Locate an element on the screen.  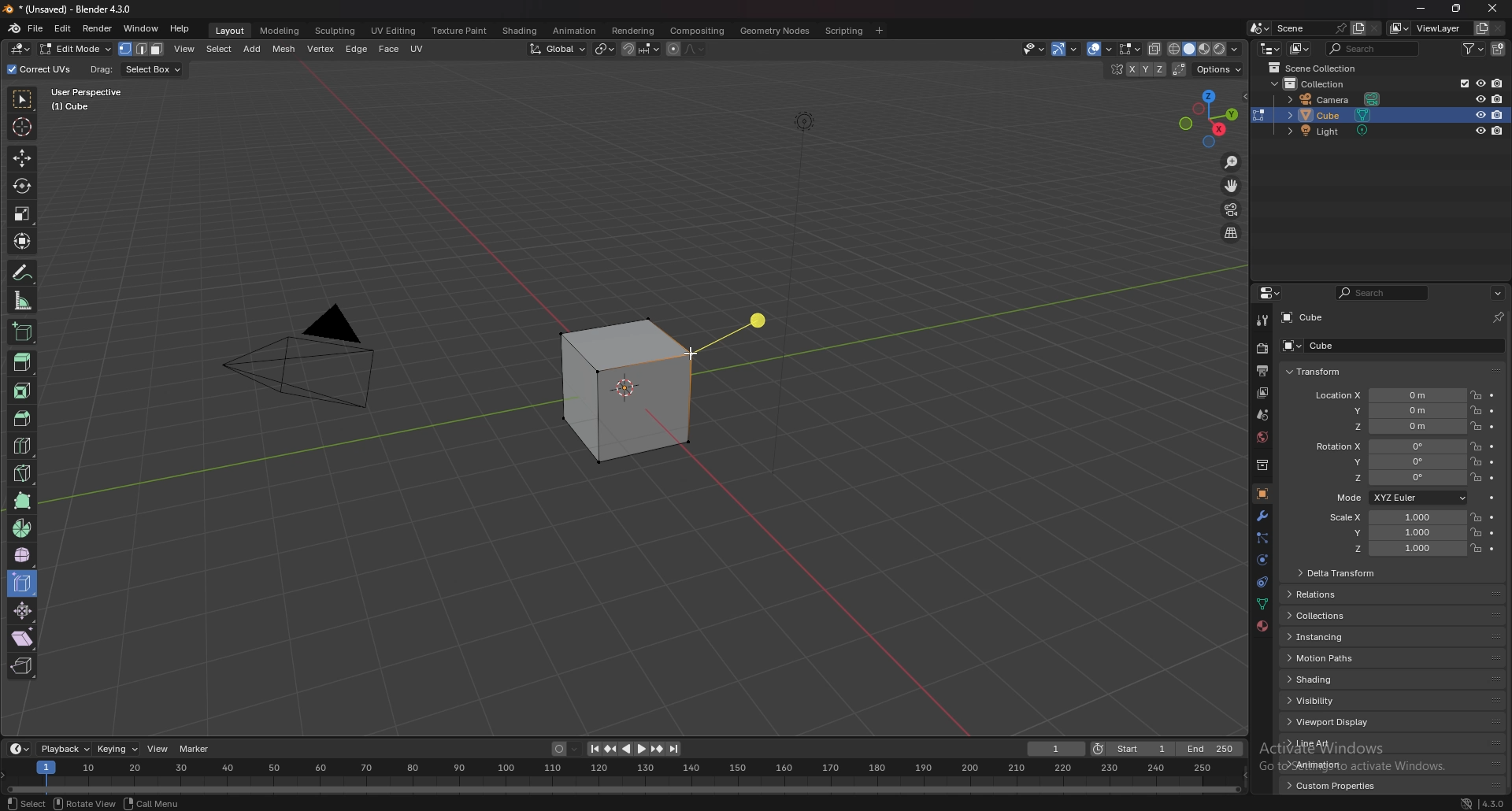
 is located at coordinates (1032, 49).